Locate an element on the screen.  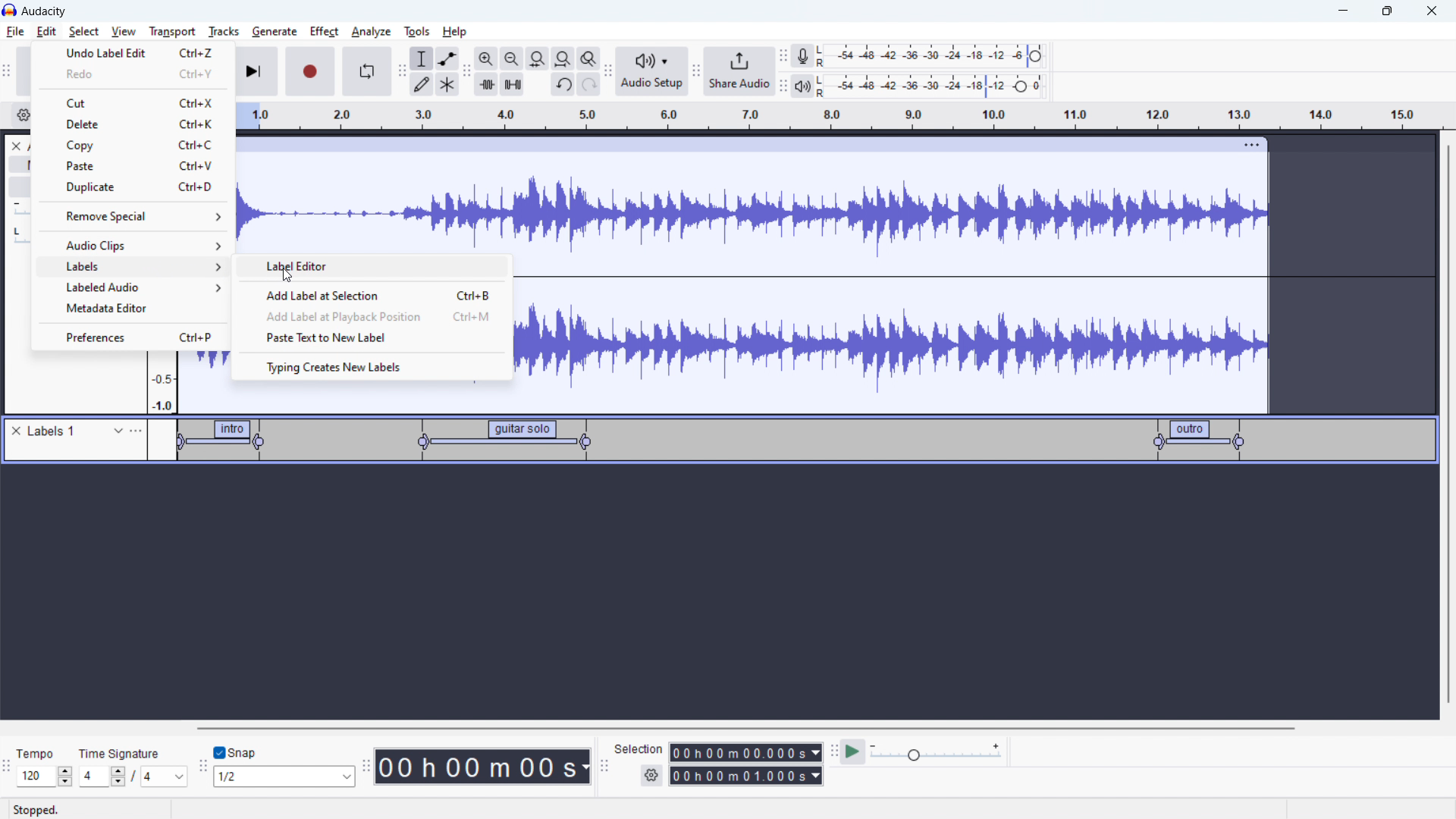
selection end time is located at coordinates (747, 776).